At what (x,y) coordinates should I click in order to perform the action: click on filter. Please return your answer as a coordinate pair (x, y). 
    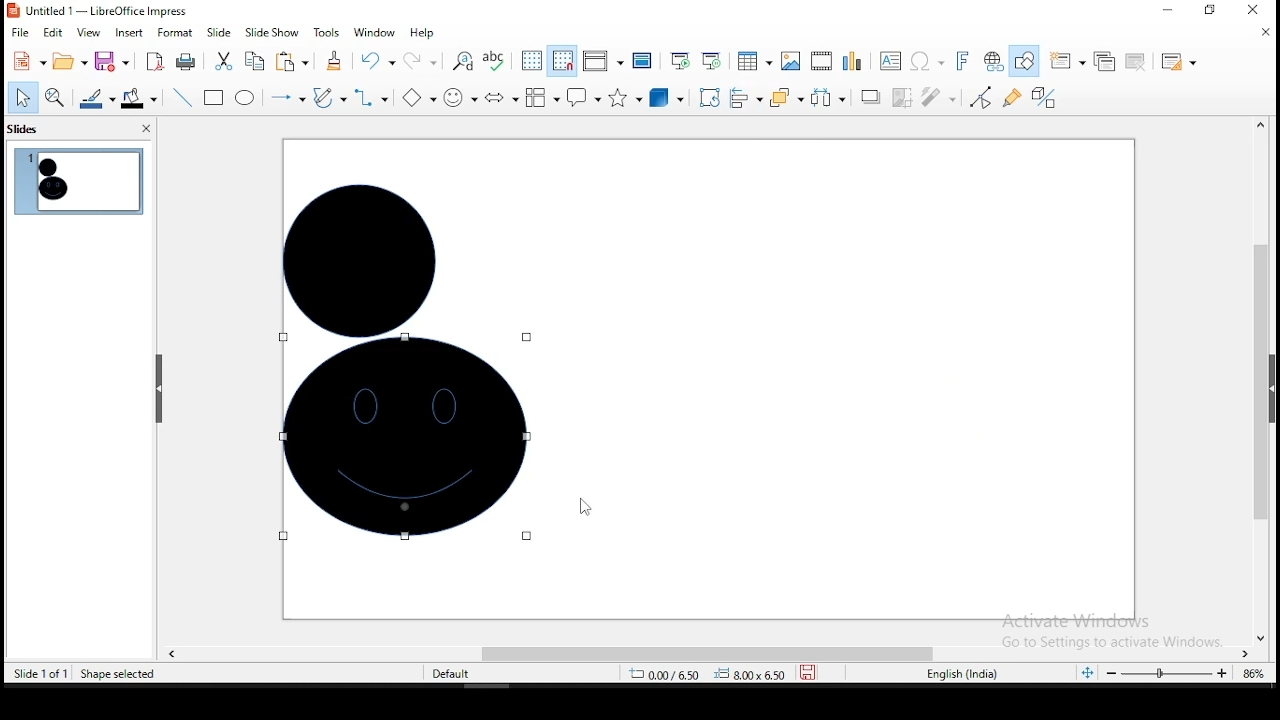
    Looking at the image, I should click on (937, 98).